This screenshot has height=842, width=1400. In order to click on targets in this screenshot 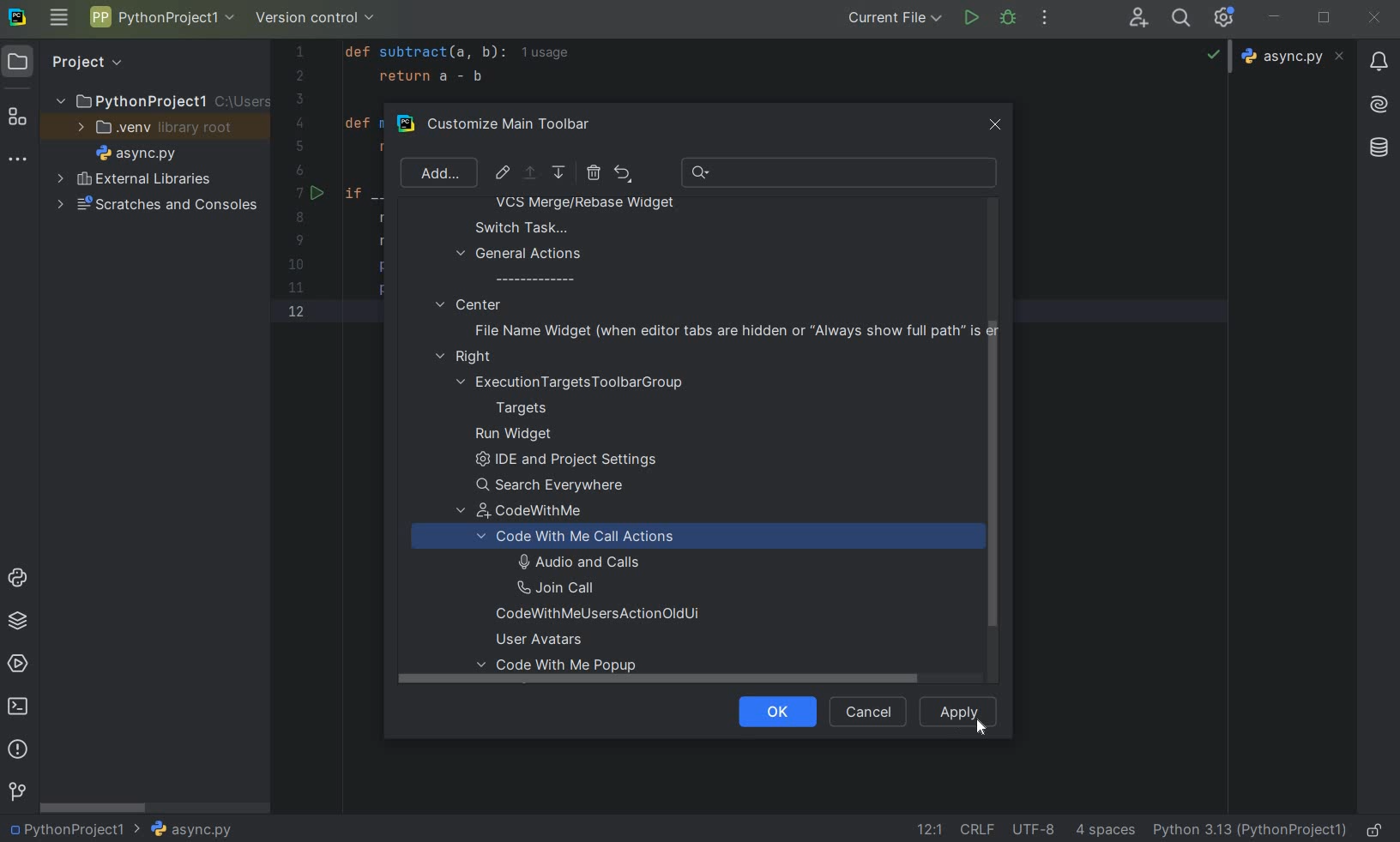, I will do `click(533, 408)`.